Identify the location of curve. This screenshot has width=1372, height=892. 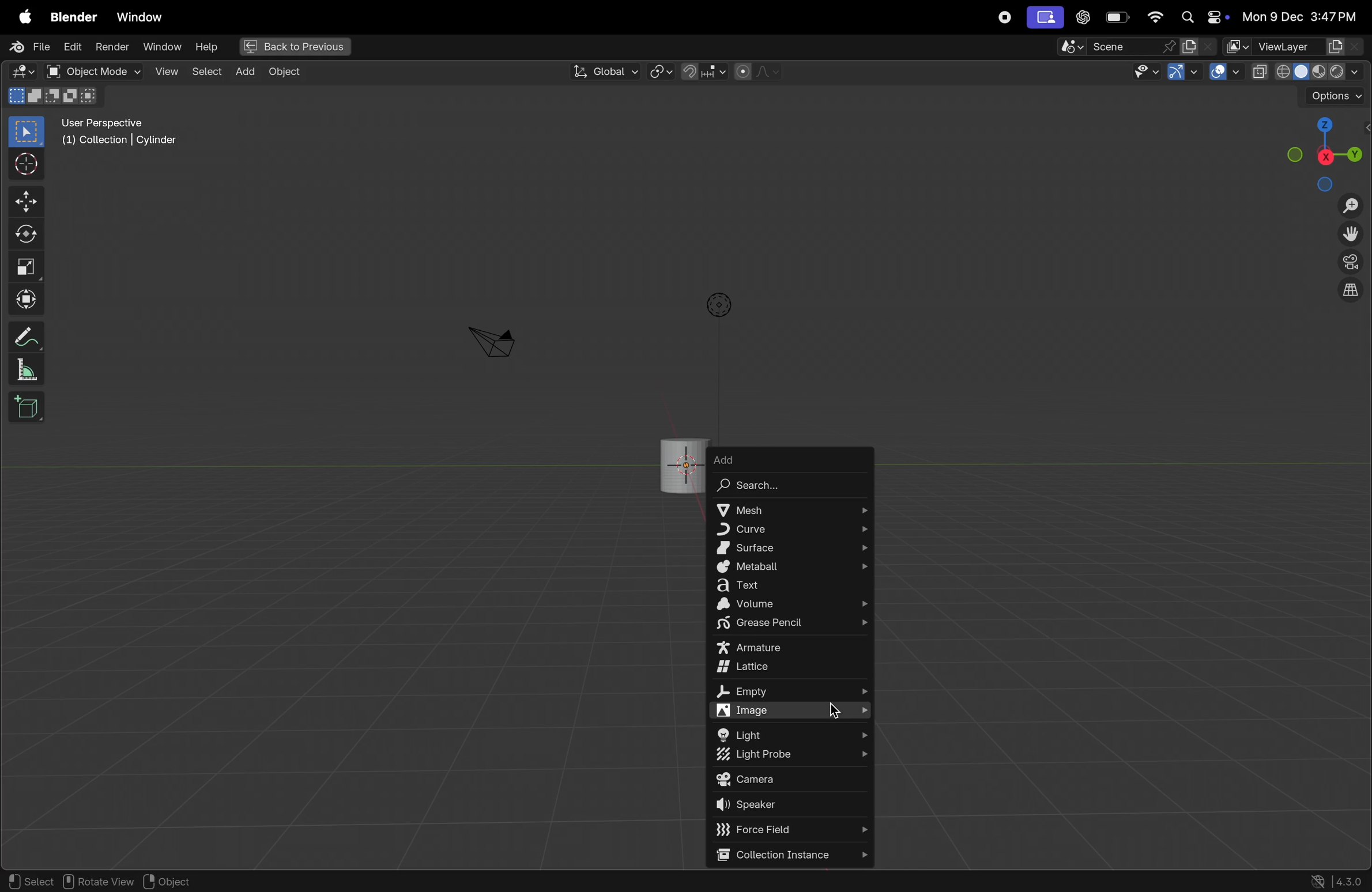
(789, 528).